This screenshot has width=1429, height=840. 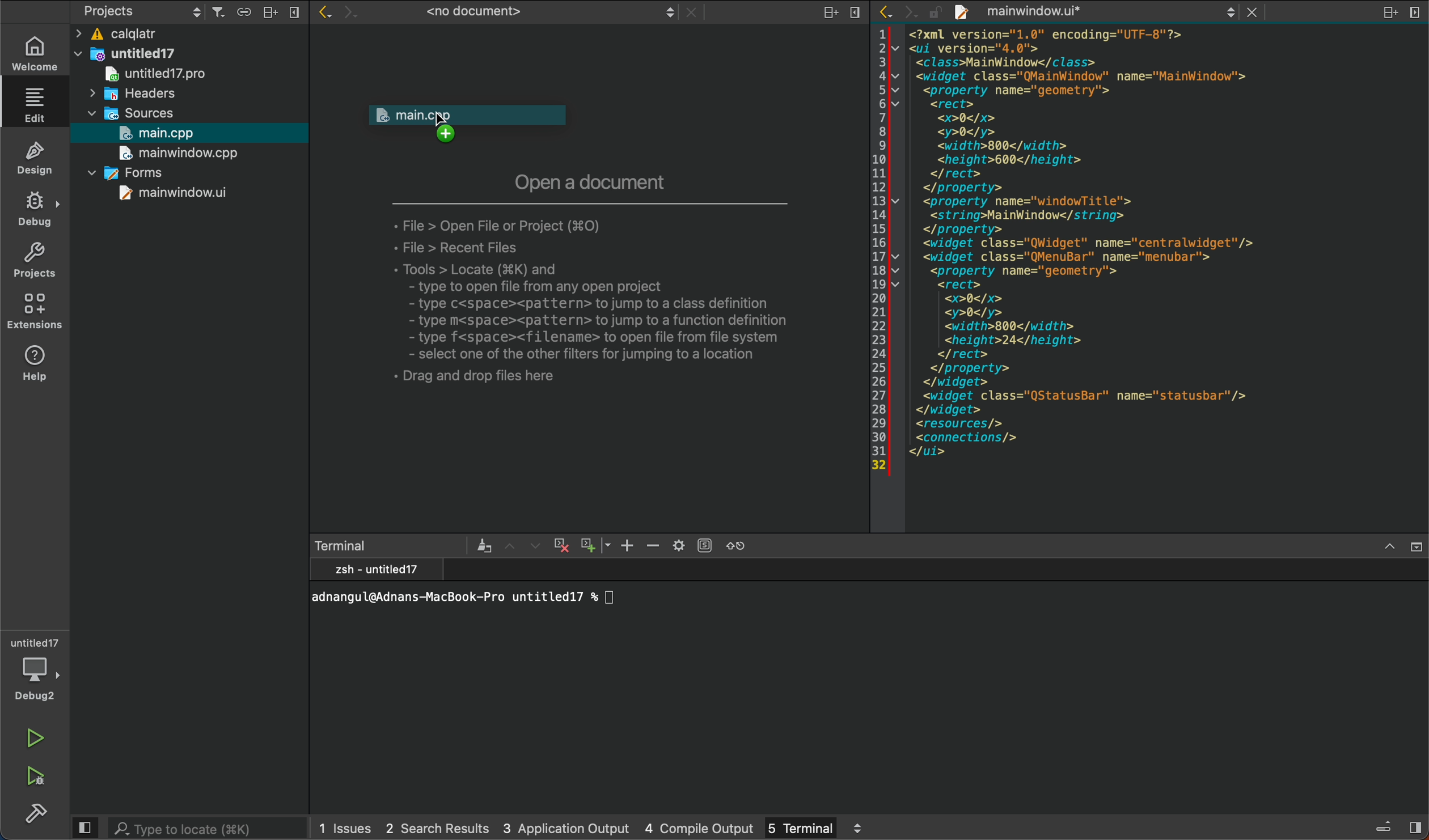 I want to click on go back, so click(x=889, y=12).